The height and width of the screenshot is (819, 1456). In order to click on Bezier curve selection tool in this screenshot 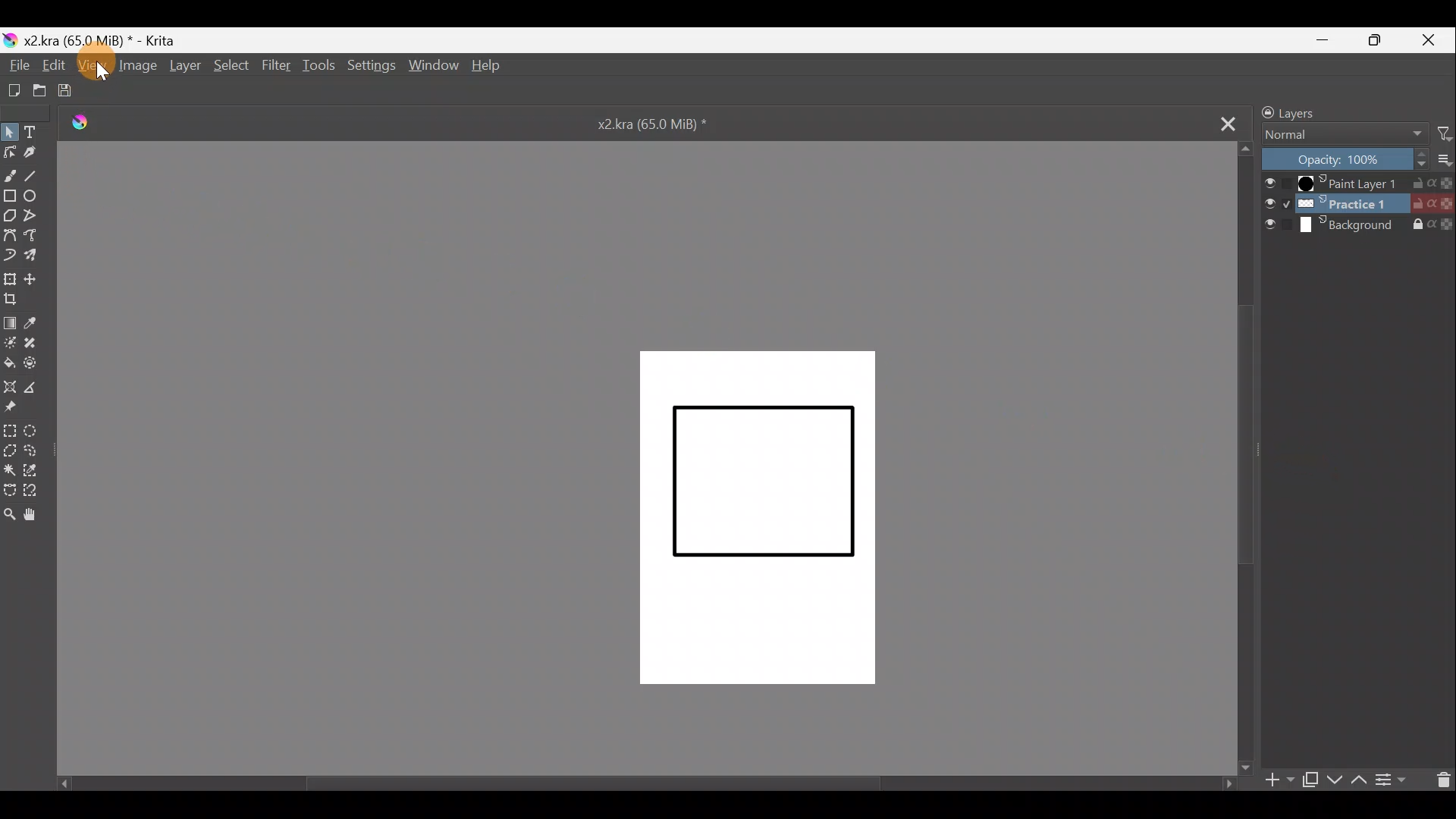, I will do `click(13, 490)`.